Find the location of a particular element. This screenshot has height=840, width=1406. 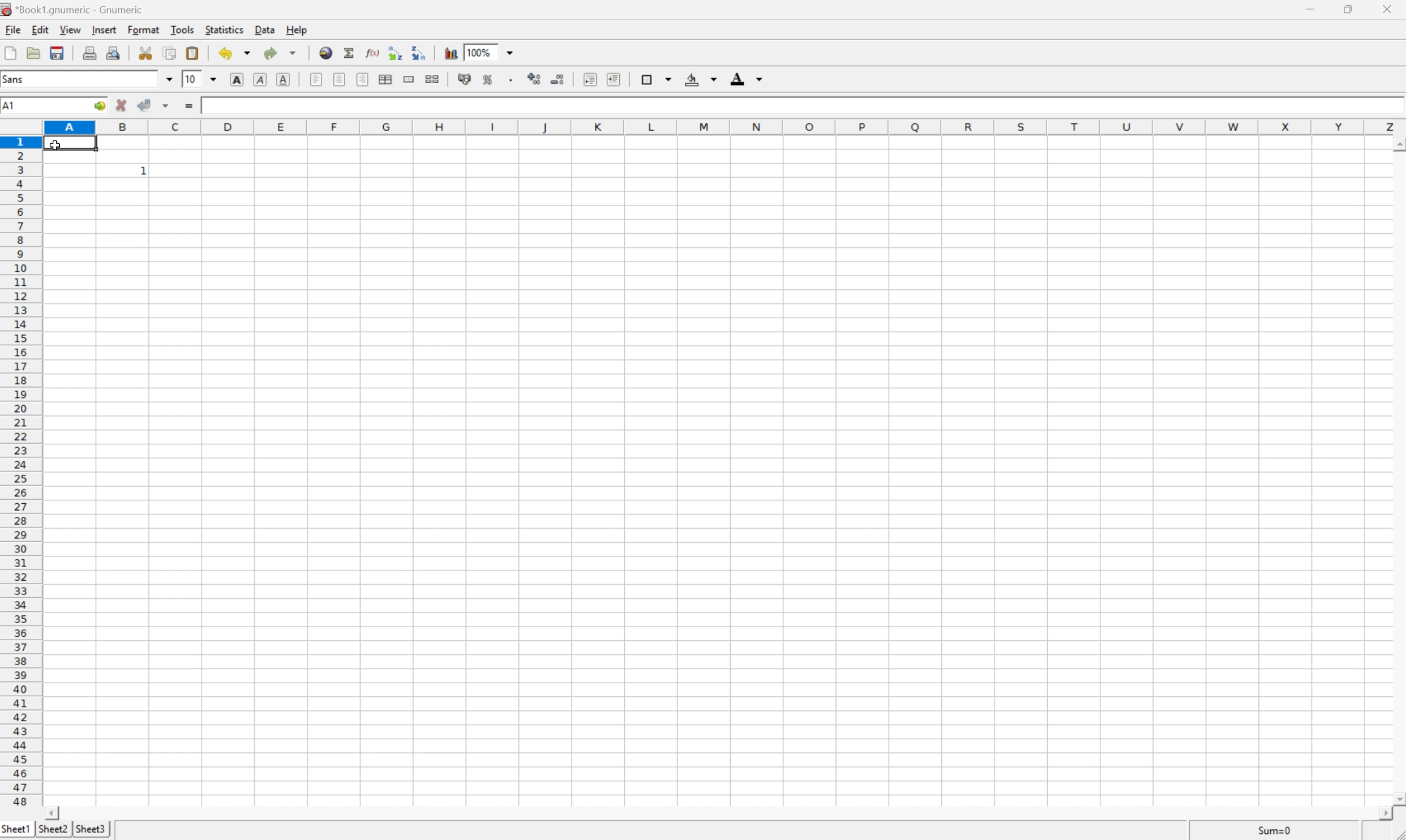

help is located at coordinates (296, 30).